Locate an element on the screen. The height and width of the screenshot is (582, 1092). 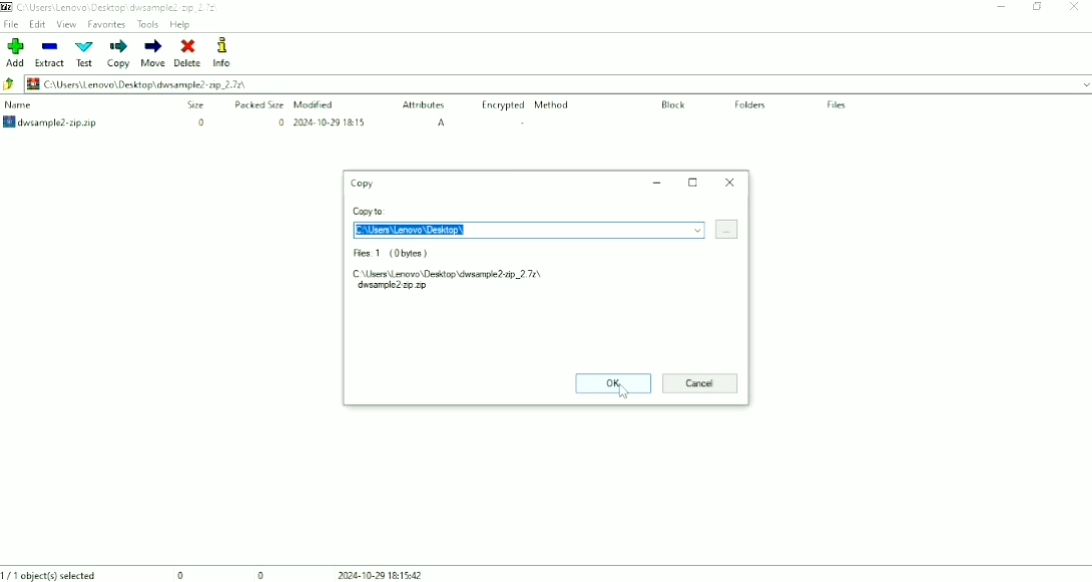
Close is located at coordinates (730, 182).